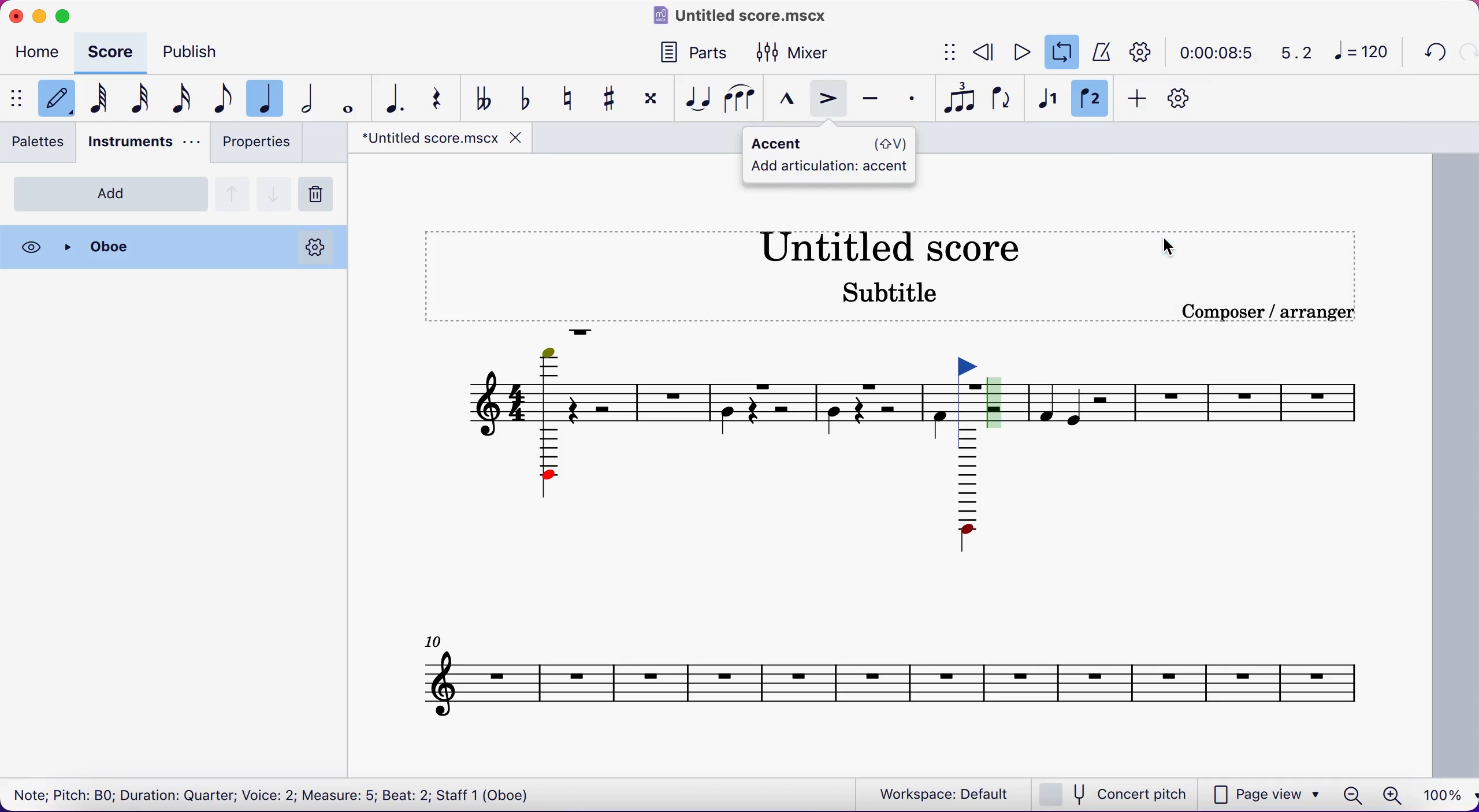  Describe the element at coordinates (902, 486) in the screenshot. I see `untitled score subtitle composer/arranger 10` at that location.